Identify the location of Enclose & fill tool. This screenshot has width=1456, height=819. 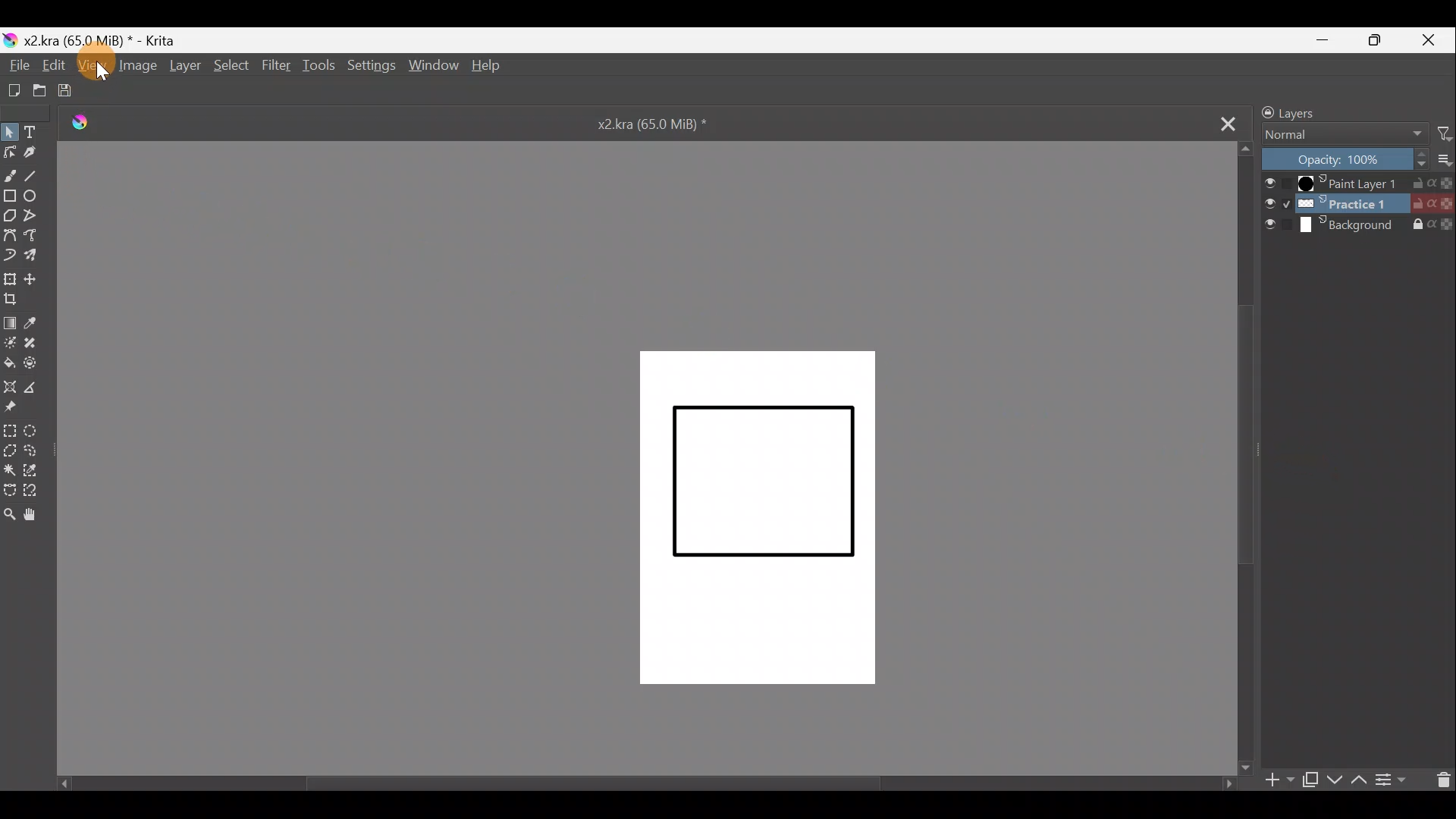
(39, 363).